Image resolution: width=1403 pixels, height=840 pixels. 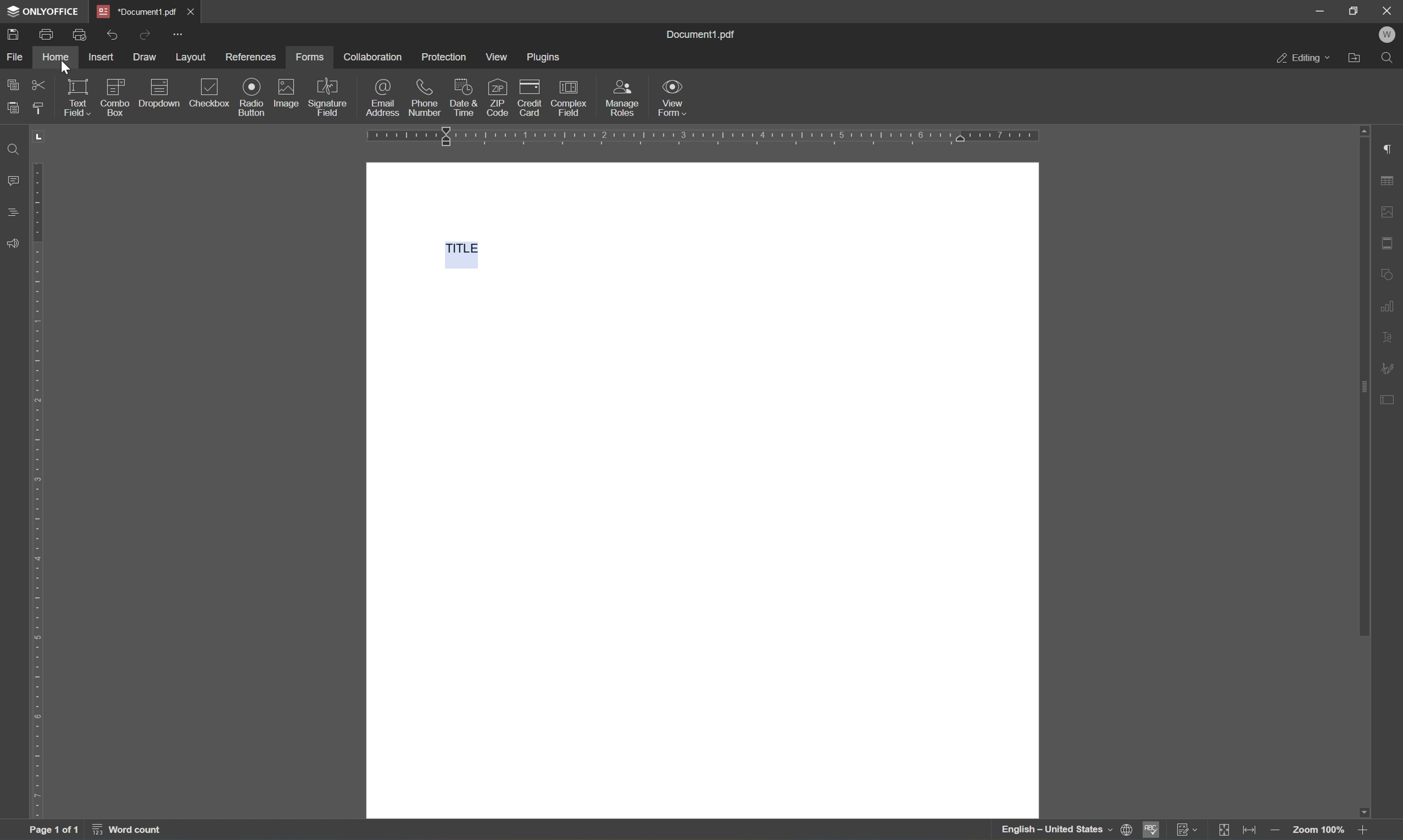 What do you see at coordinates (249, 96) in the screenshot?
I see `radio button` at bounding box center [249, 96].